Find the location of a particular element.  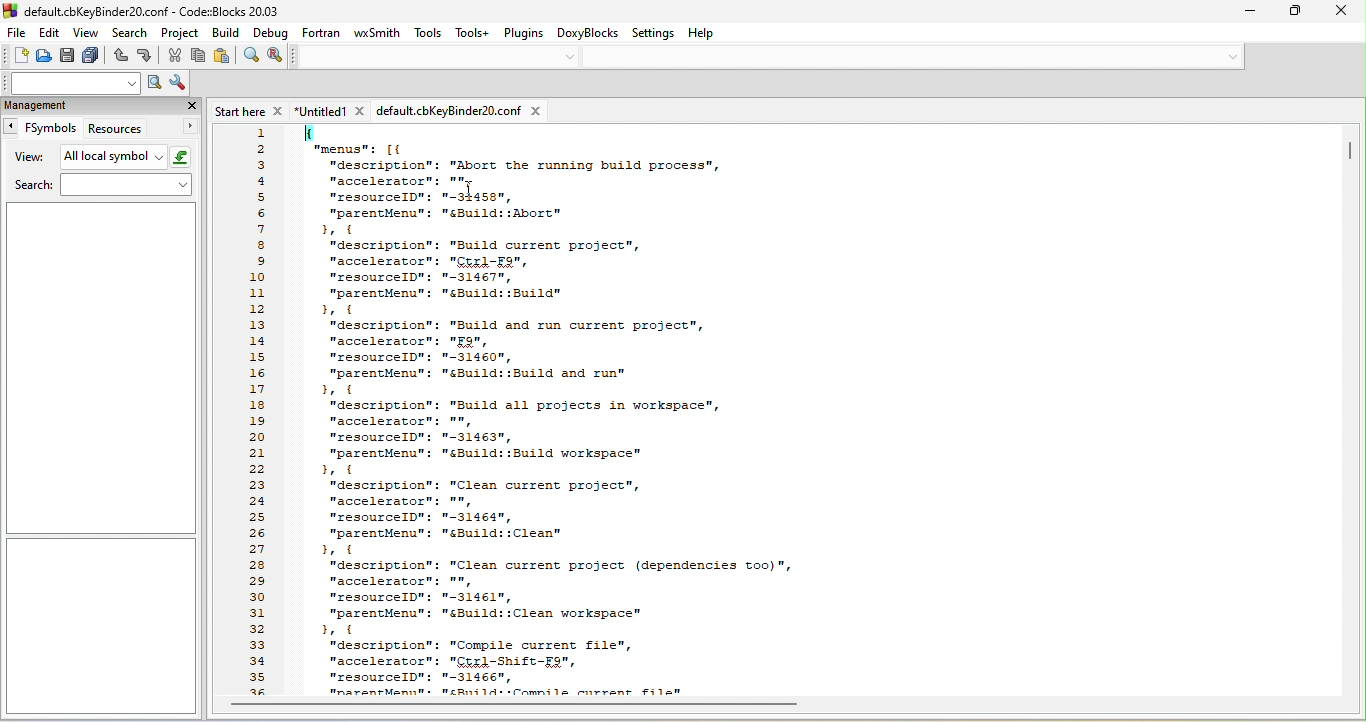

title is located at coordinates (143, 10).